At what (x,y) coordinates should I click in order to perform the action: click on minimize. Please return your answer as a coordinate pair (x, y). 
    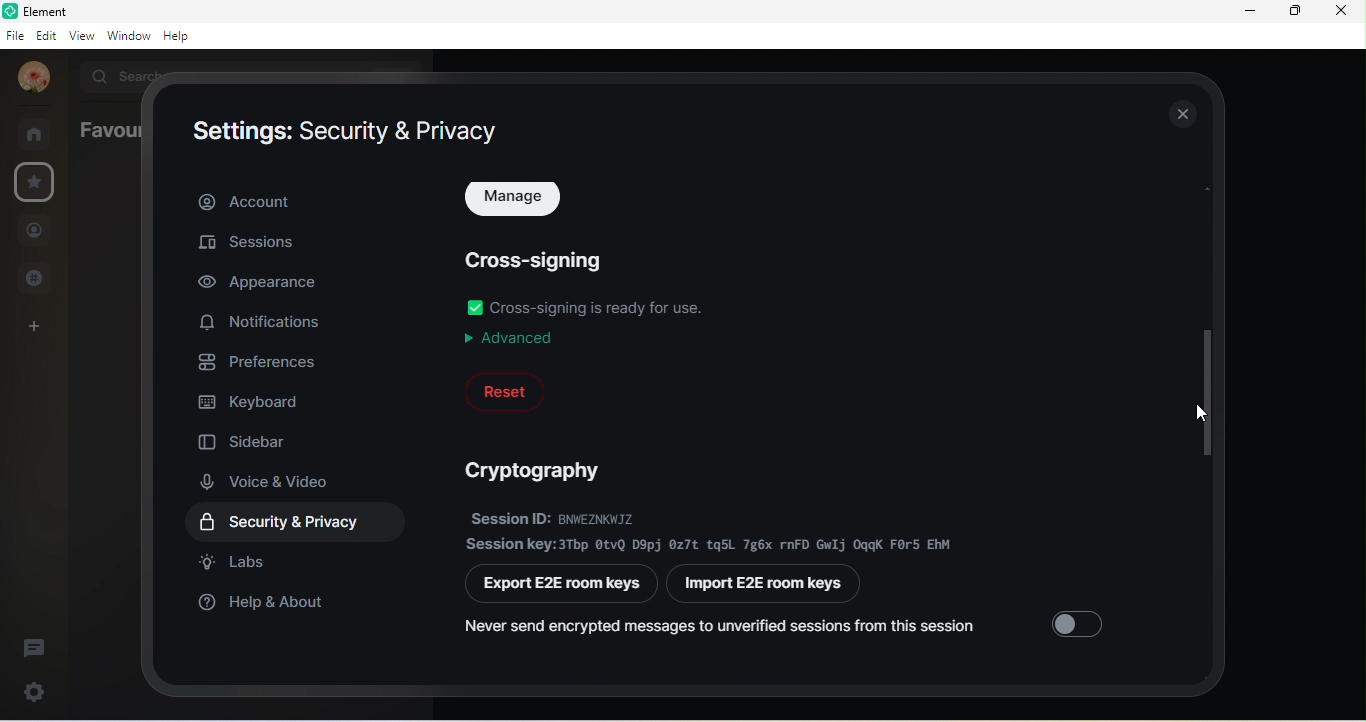
    Looking at the image, I should click on (1252, 11).